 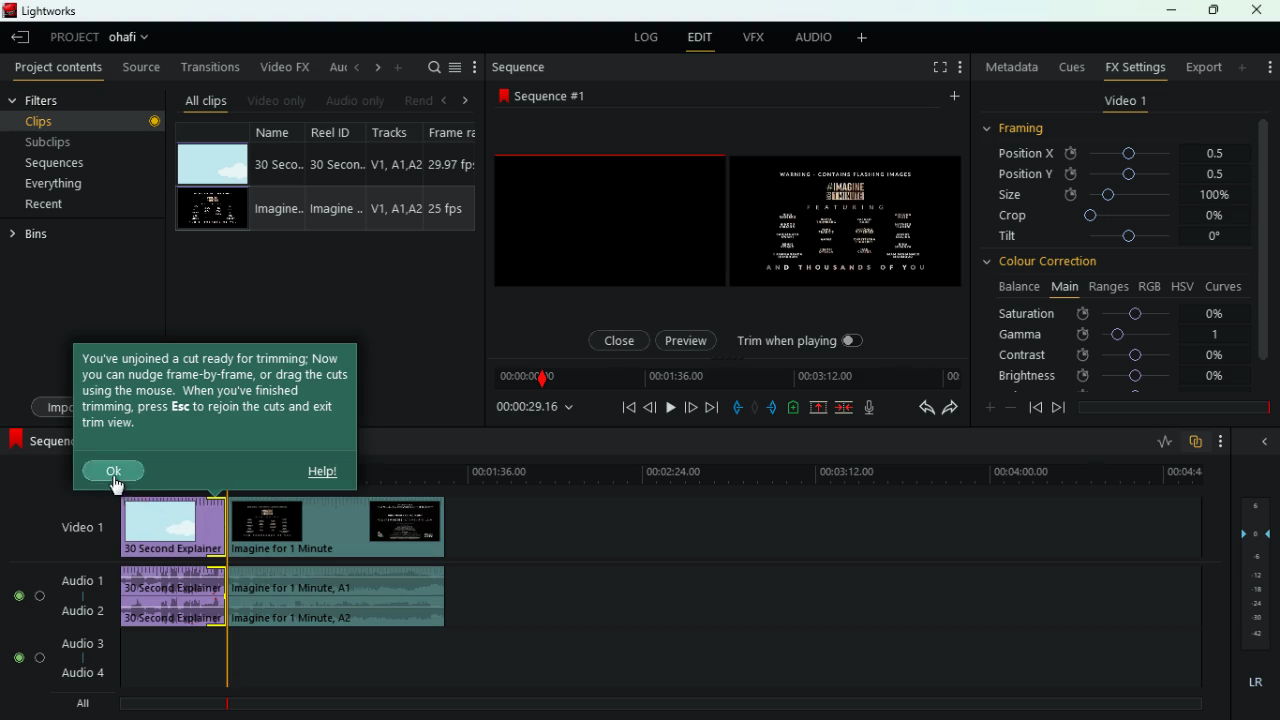 What do you see at coordinates (78, 163) in the screenshot?
I see `sequences` at bounding box center [78, 163].